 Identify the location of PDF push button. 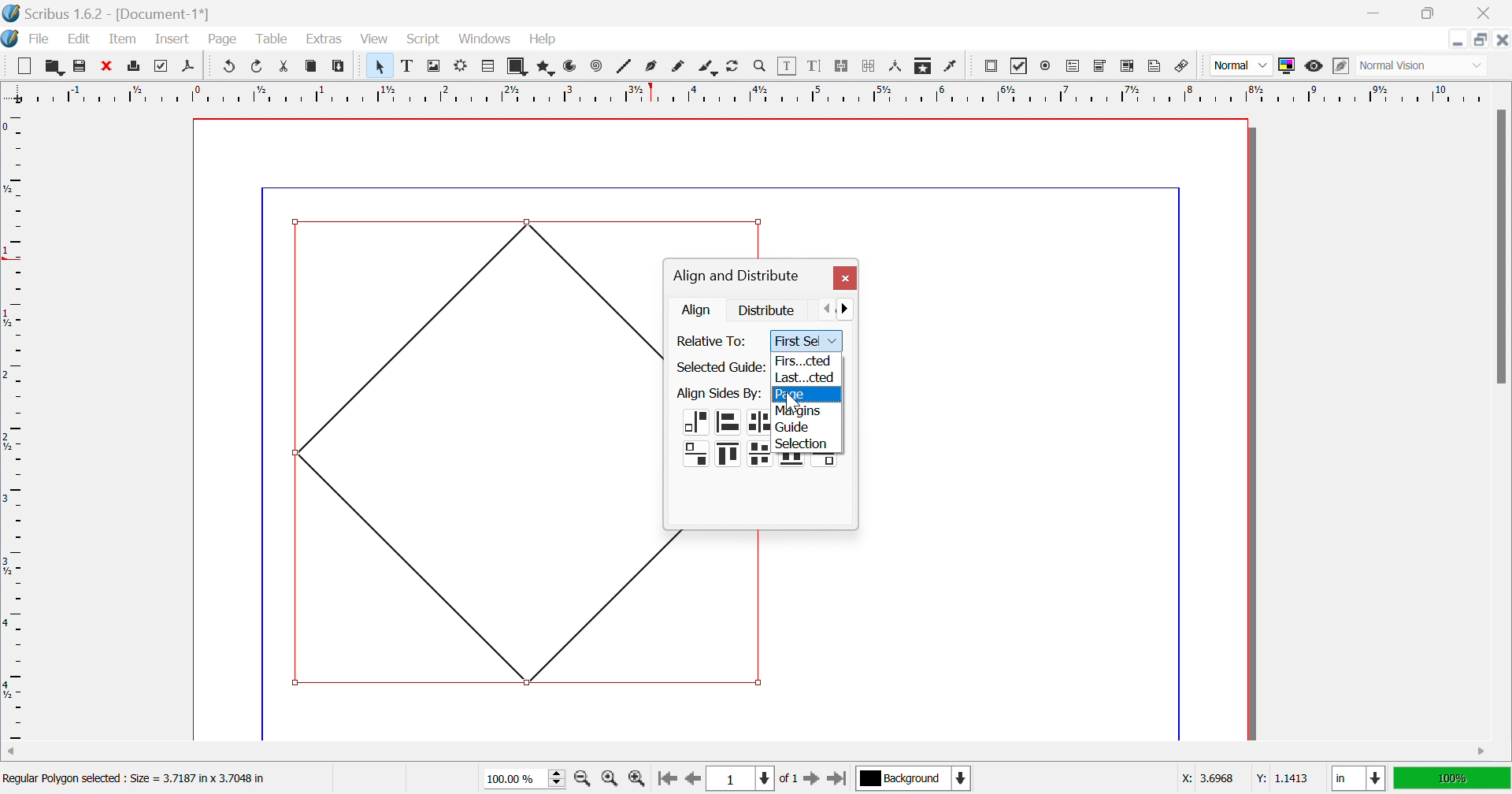
(993, 65).